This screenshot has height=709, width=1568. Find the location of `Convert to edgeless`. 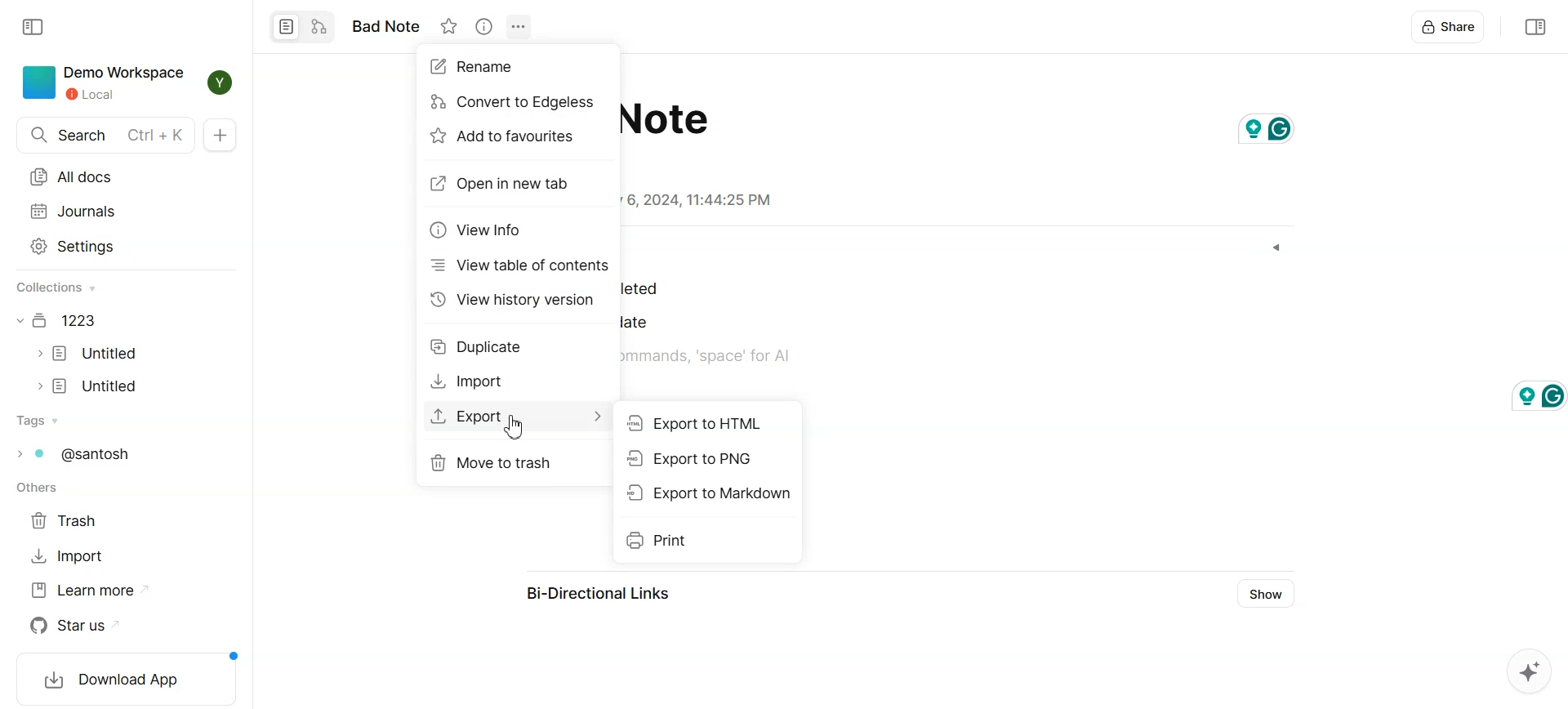

Convert to edgeless is located at coordinates (318, 25).